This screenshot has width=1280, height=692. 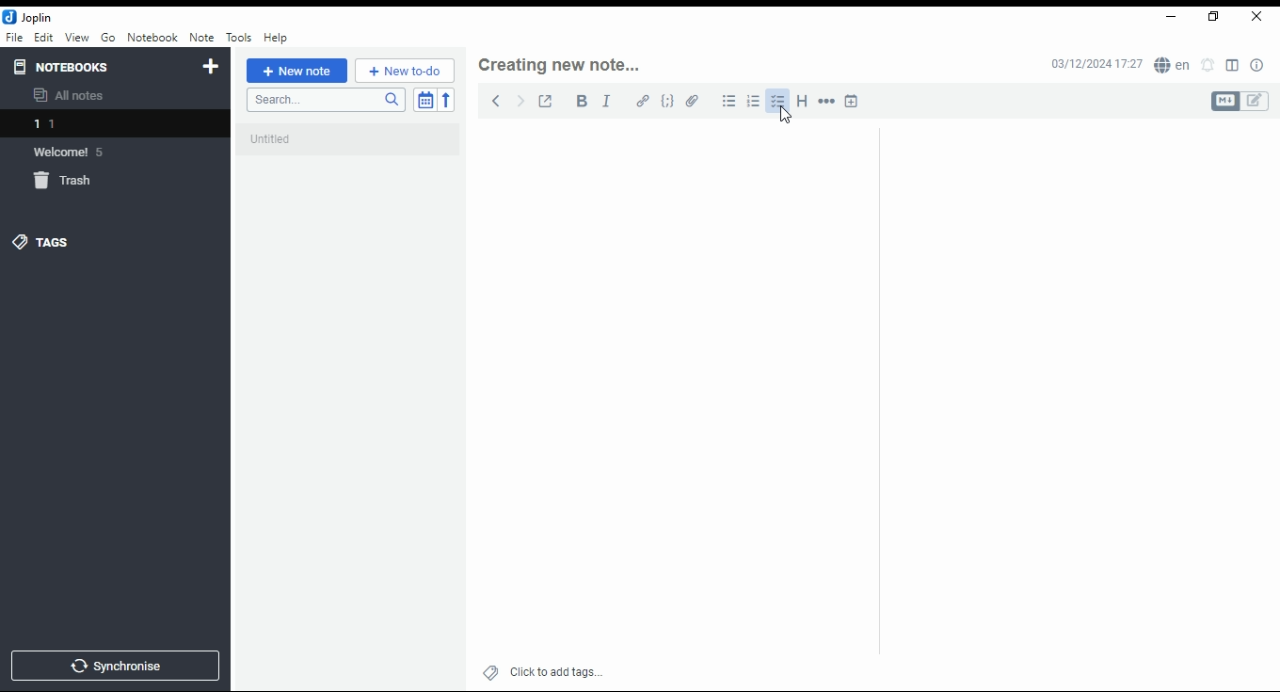 I want to click on trash, so click(x=64, y=180).